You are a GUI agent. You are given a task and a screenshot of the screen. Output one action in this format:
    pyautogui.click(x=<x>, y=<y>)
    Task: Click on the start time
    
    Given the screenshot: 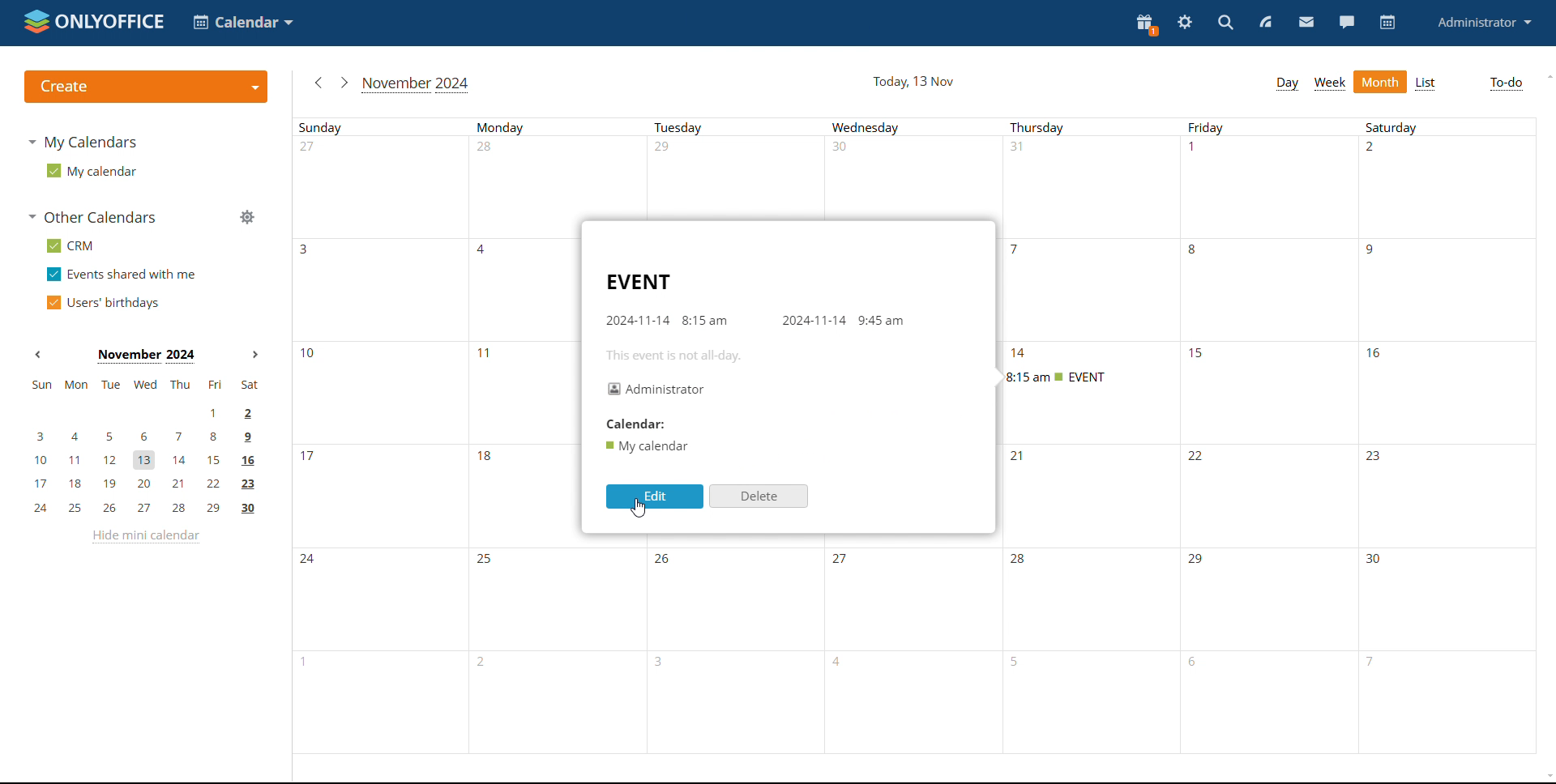 What is the action you would take?
    pyautogui.click(x=705, y=320)
    